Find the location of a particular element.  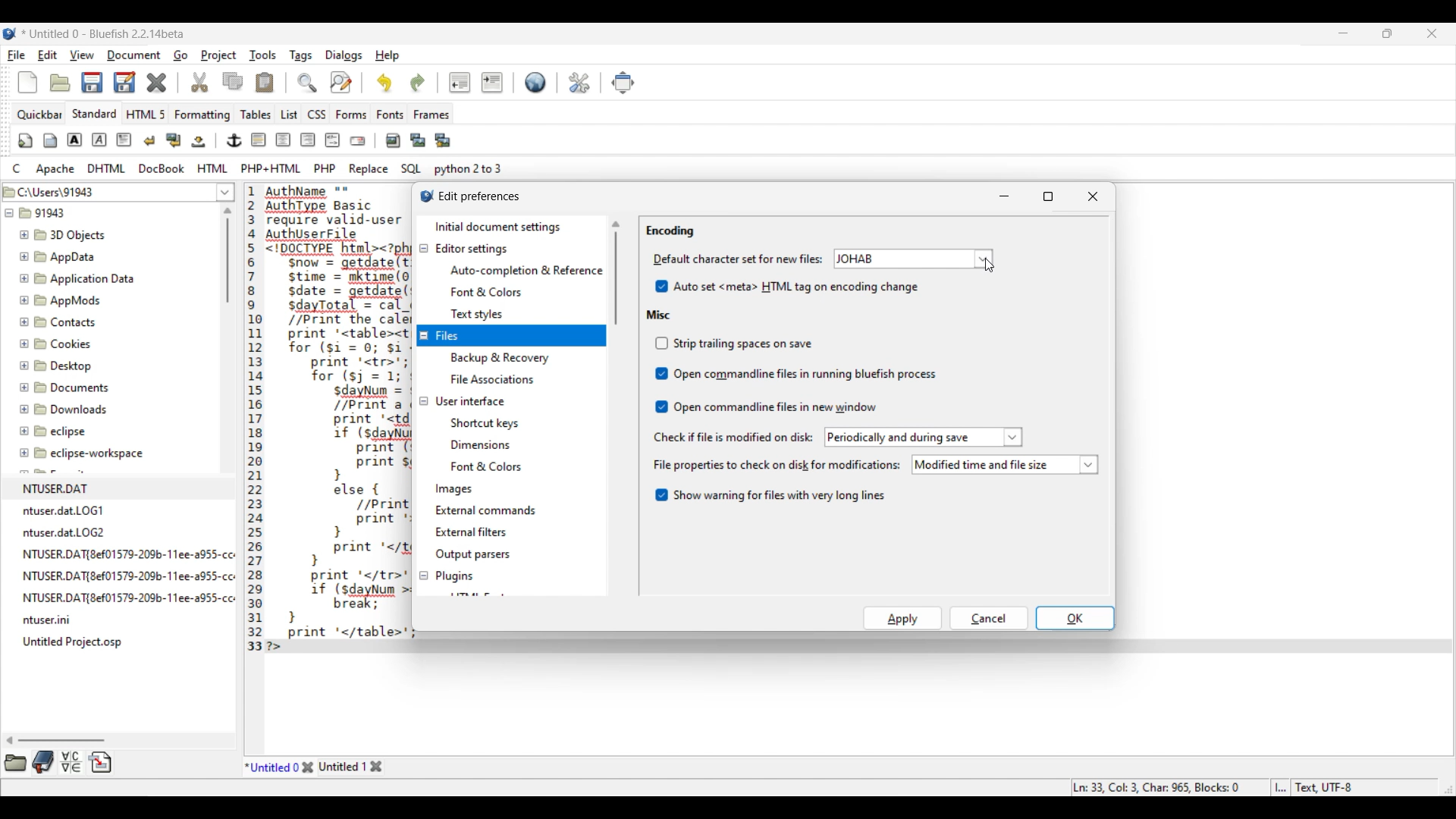

Encoding section is located at coordinates (670, 231).